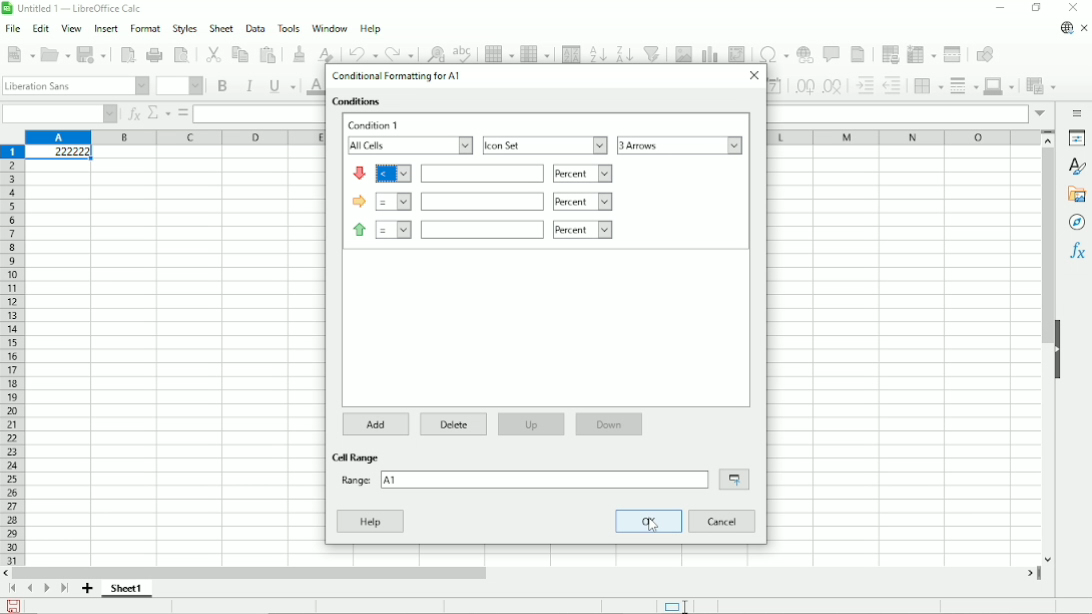 The width and height of the screenshot is (1092, 614). What do you see at coordinates (498, 51) in the screenshot?
I see `Row` at bounding box center [498, 51].